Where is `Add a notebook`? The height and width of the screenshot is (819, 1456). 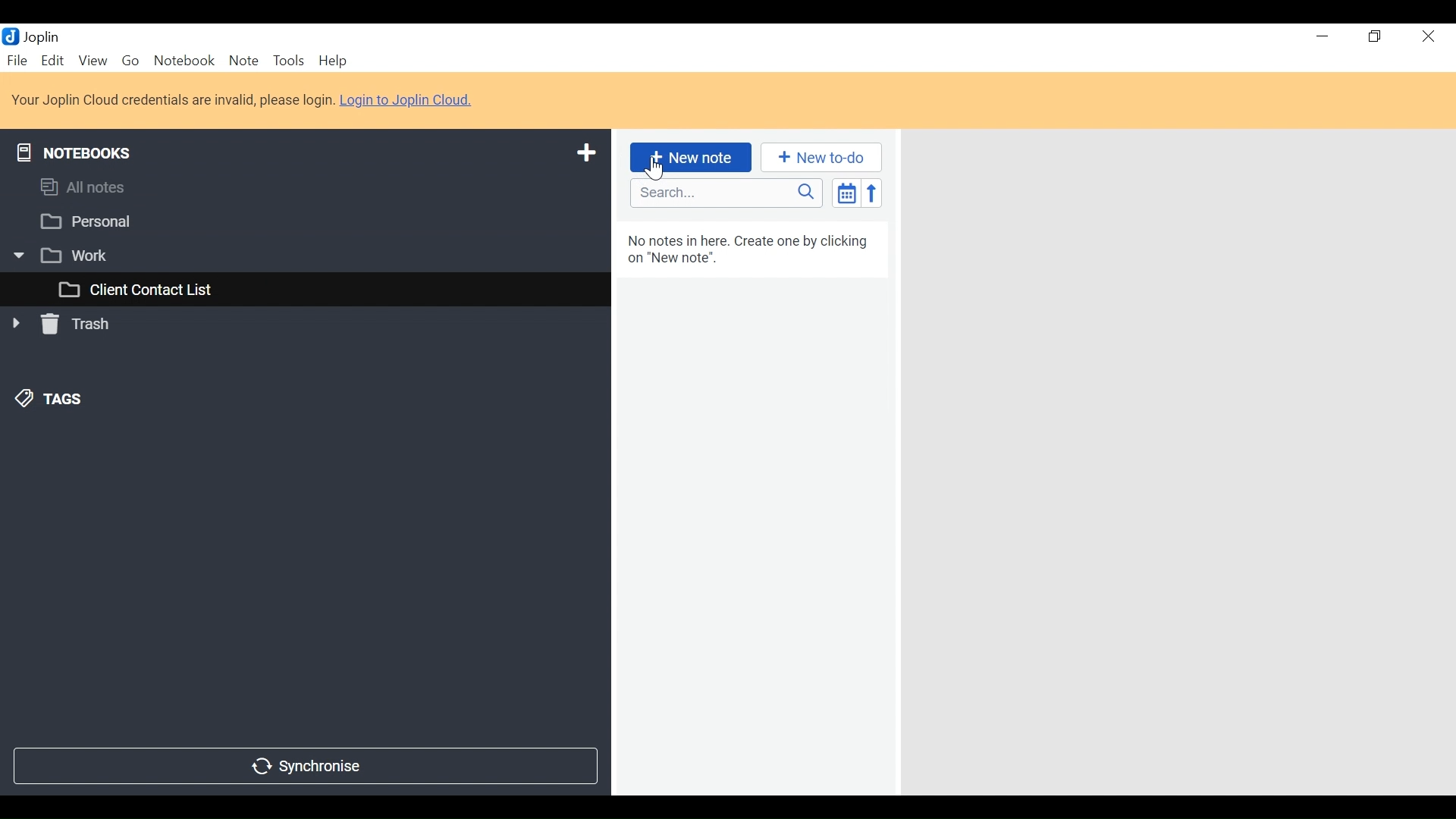
Add a notebook is located at coordinates (584, 153).